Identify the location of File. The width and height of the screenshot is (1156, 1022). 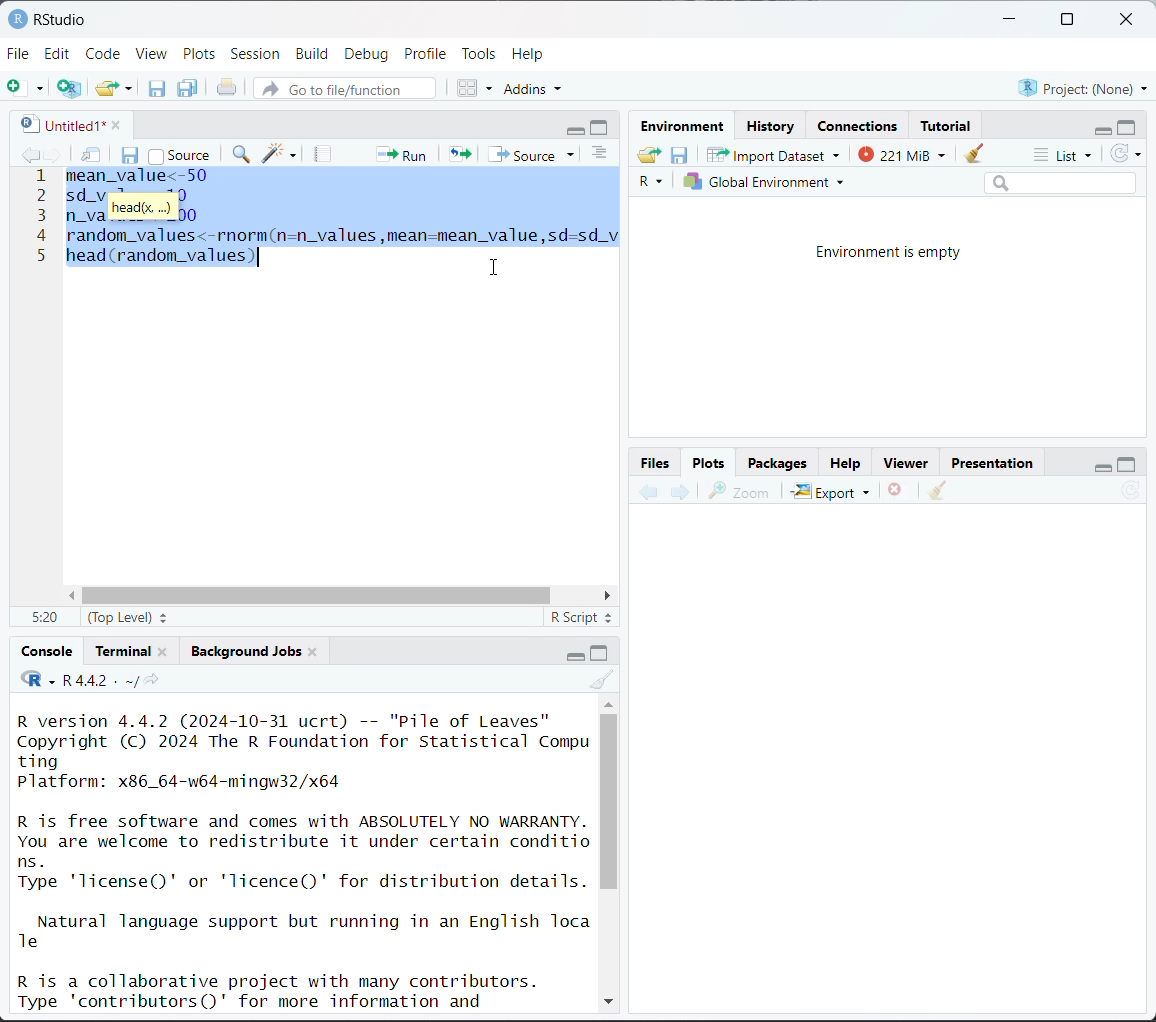
(19, 53).